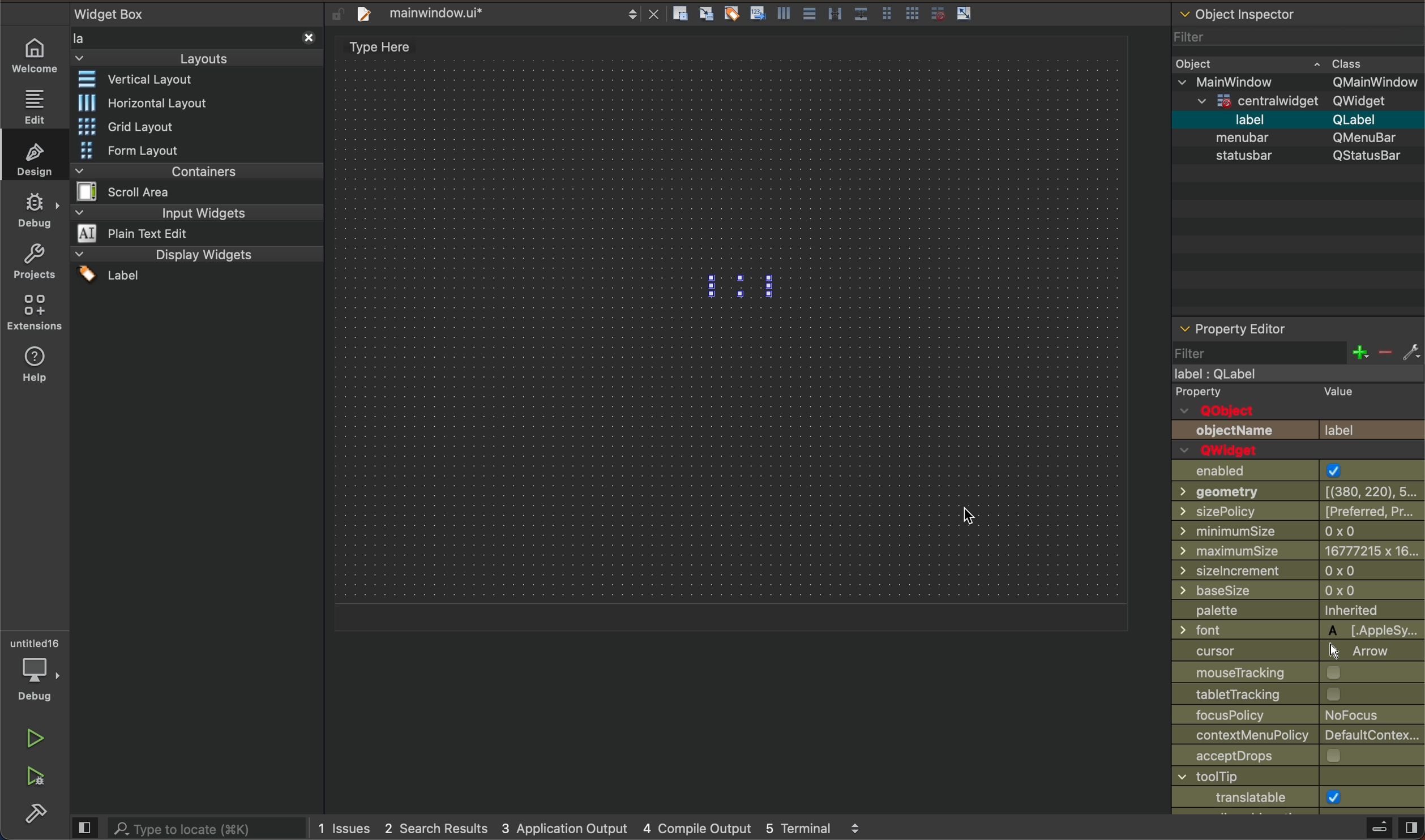  Describe the element at coordinates (1256, 39) in the screenshot. I see `filter` at that location.